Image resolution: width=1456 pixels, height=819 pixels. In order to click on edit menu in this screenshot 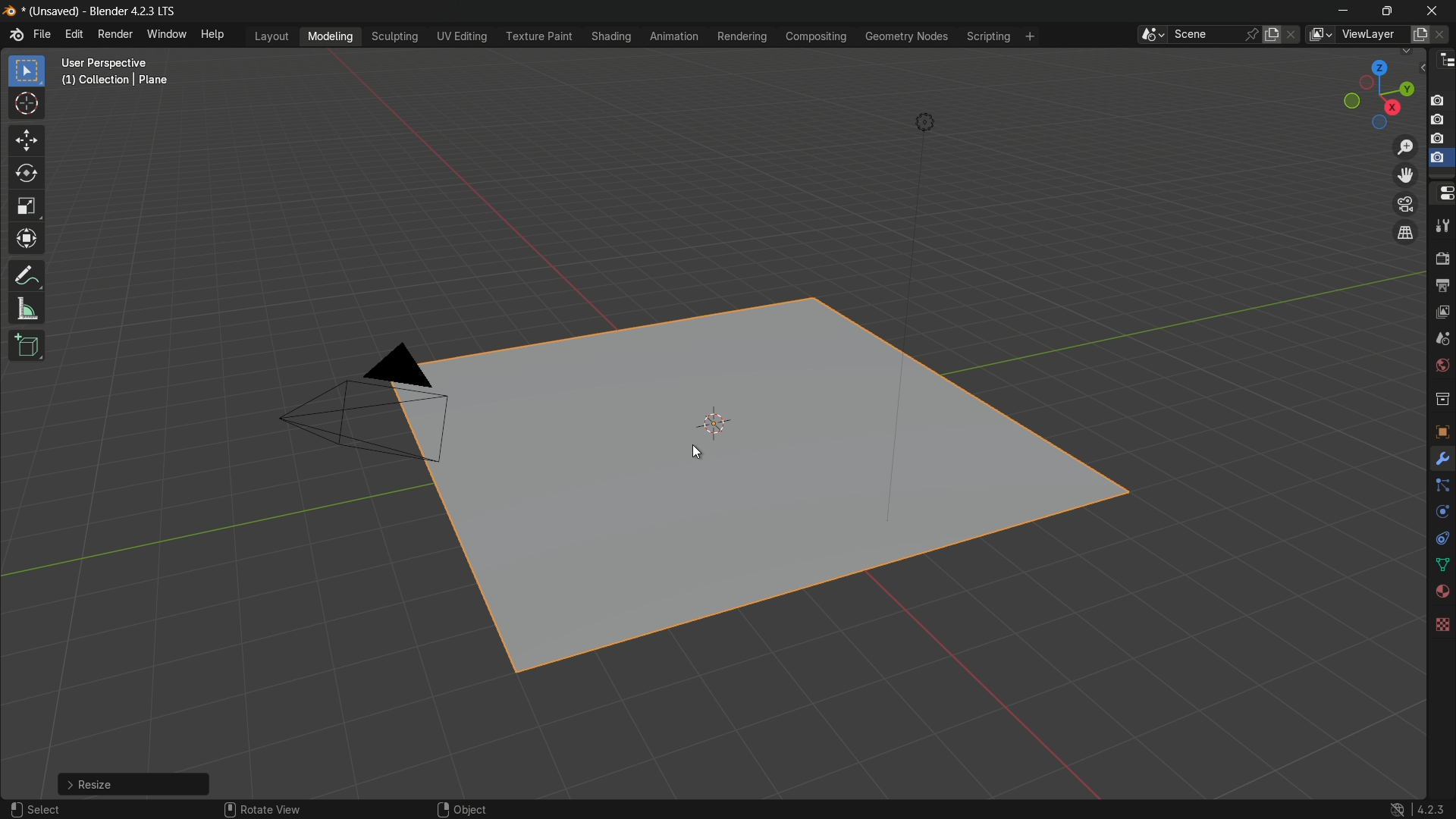, I will do `click(77, 36)`.